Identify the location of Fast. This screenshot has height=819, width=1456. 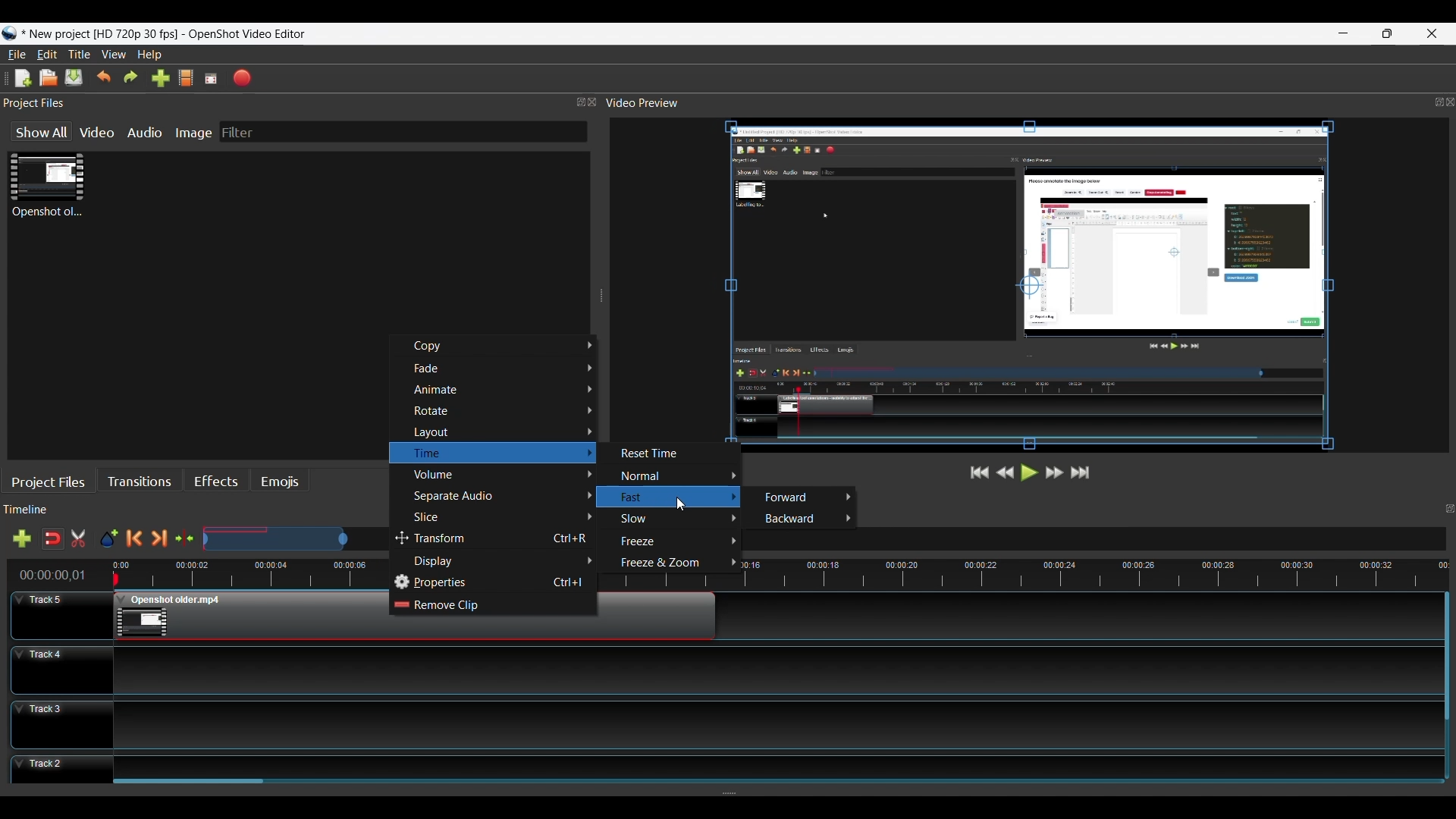
(671, 497).